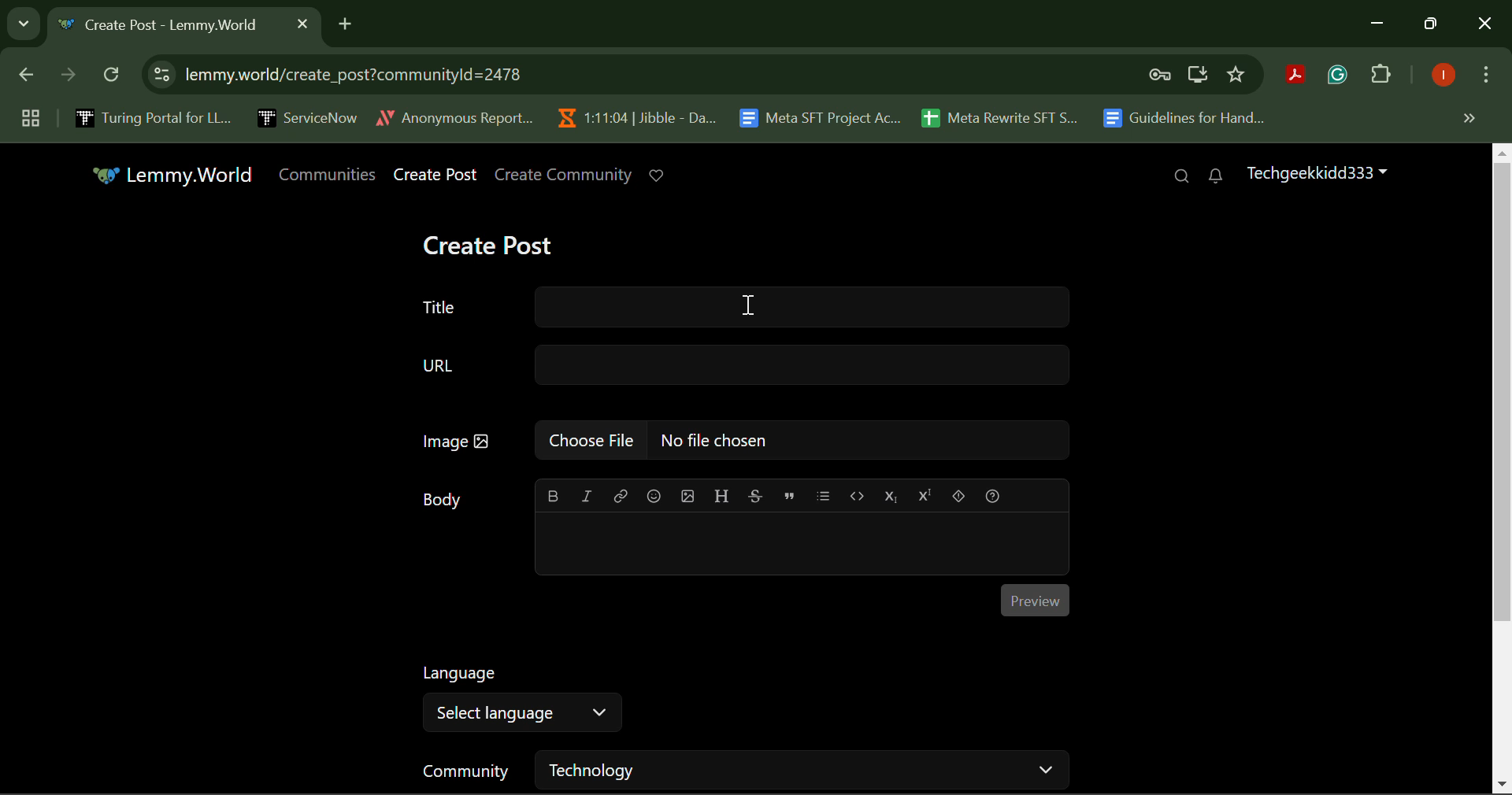 The image size is (1512, 795). What do you see at coordinates (736, 304) in the screenshot?
I see `Title Text Box` at bounding box center [736, 304].